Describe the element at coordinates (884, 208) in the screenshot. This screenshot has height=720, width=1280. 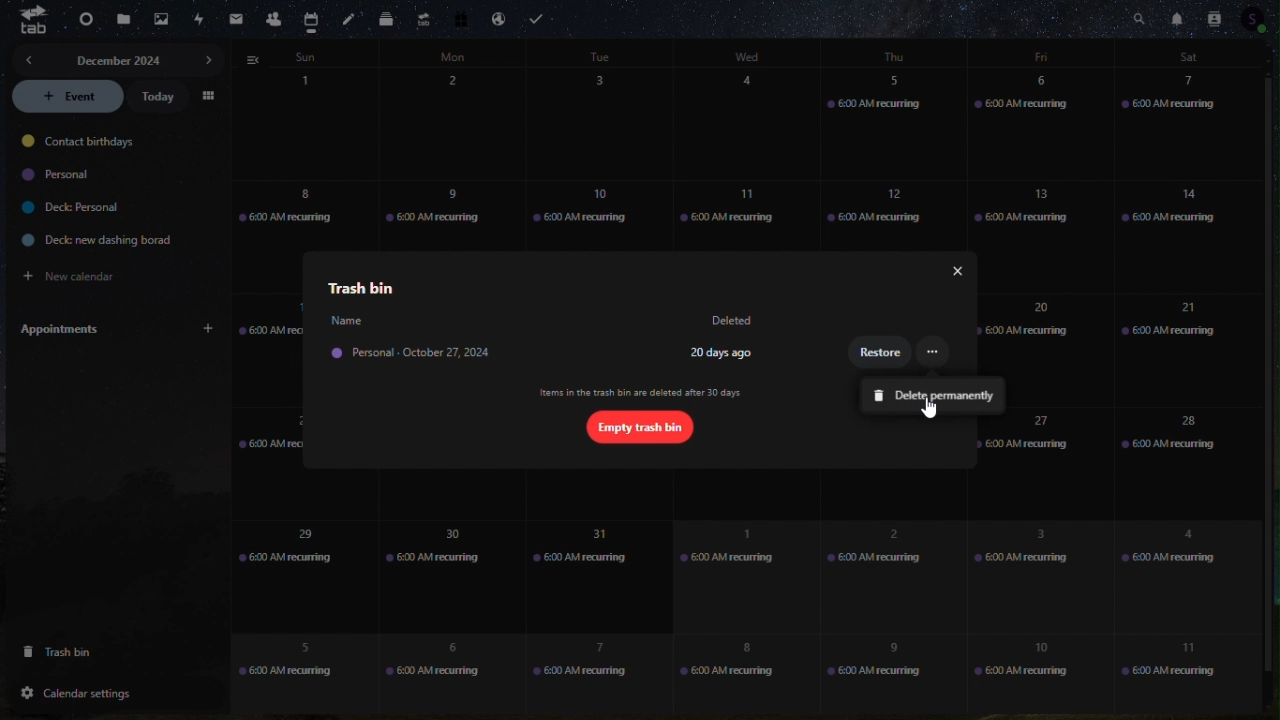
I see `12` at that location.